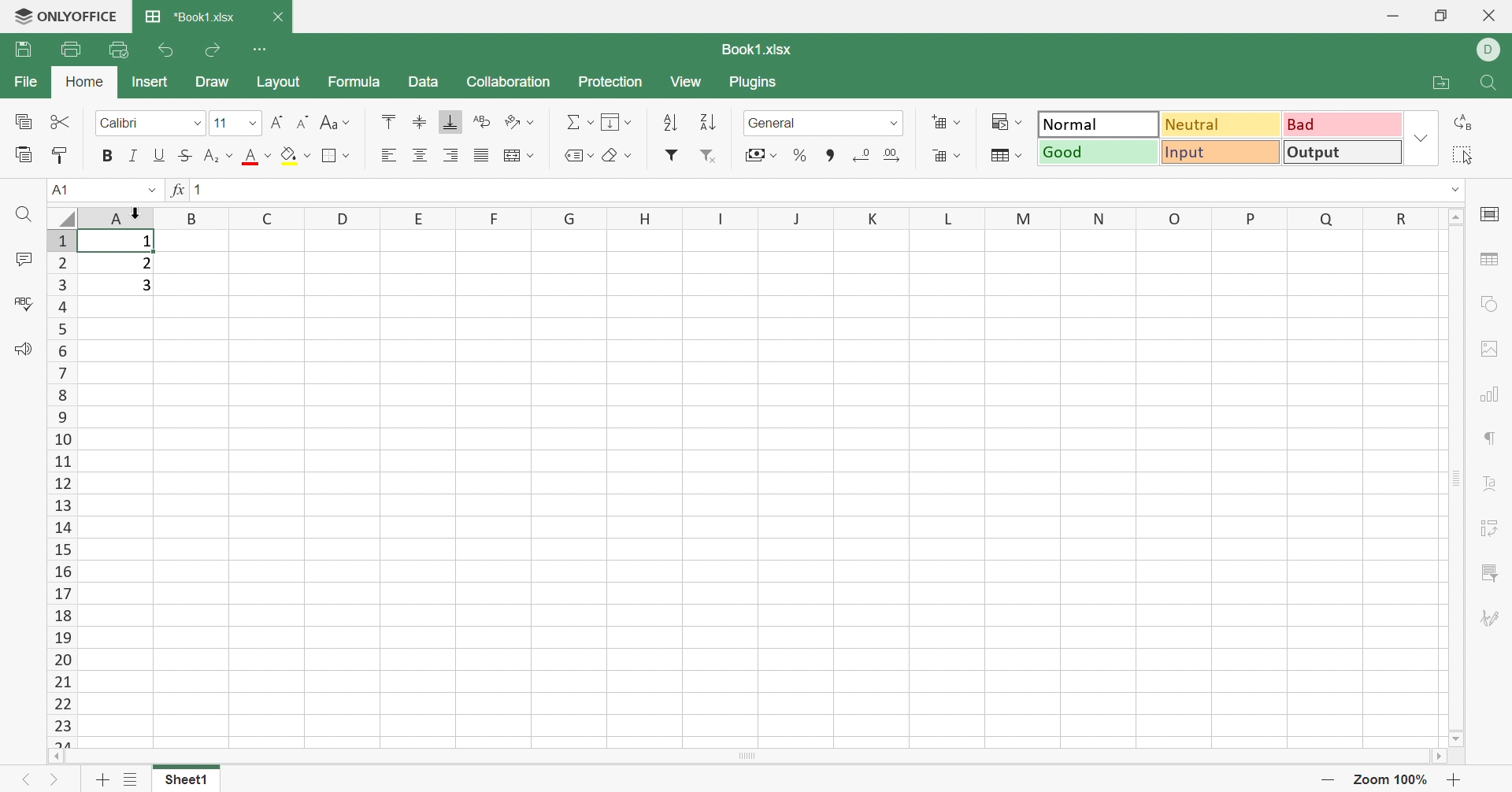  What do you see at coordinates (451, 155) in the screenshot?
I see `Align right` at bounding box center [451, 155].